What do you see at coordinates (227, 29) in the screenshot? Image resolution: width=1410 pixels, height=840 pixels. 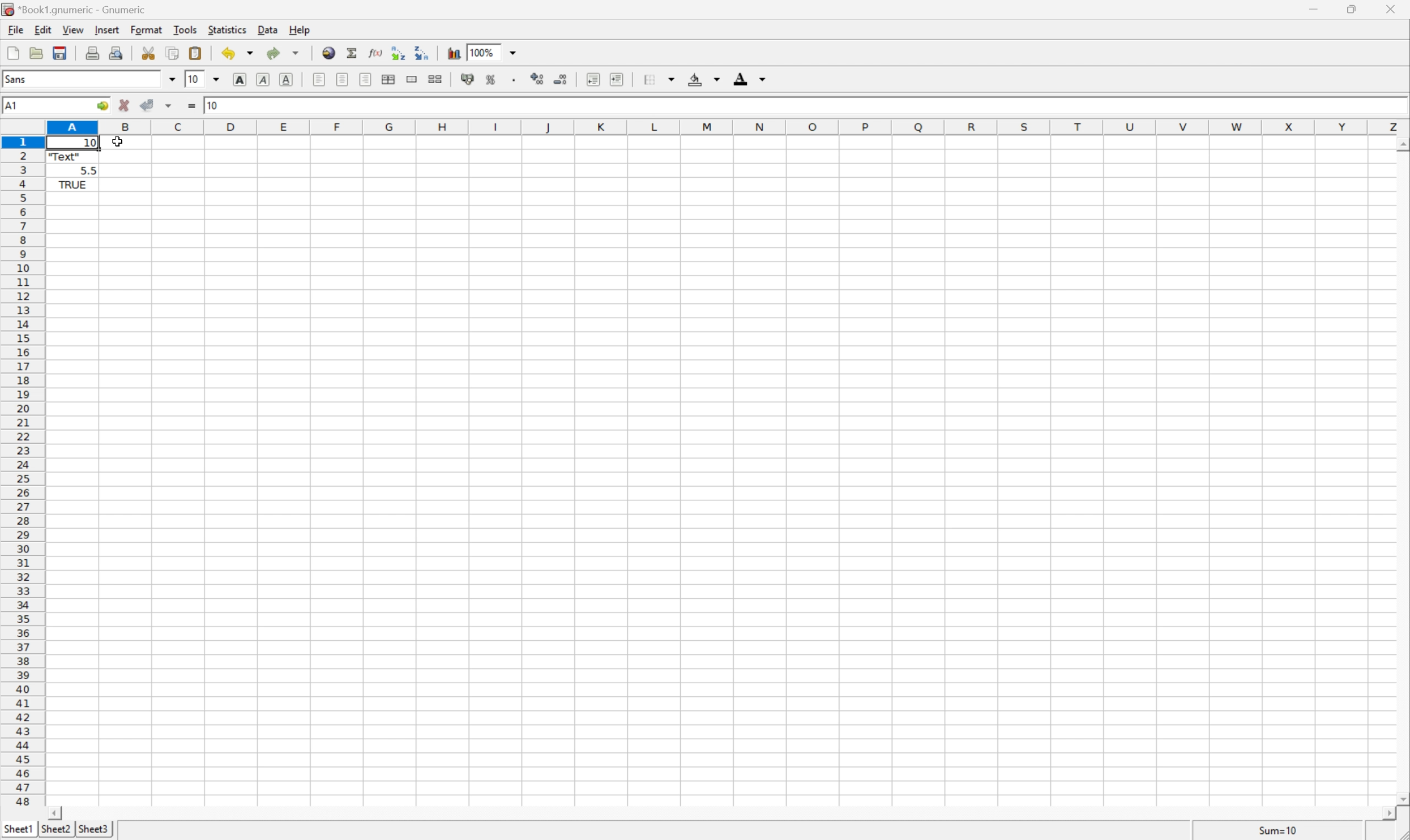 I see `Statistics` at bounding box center [227, 29].